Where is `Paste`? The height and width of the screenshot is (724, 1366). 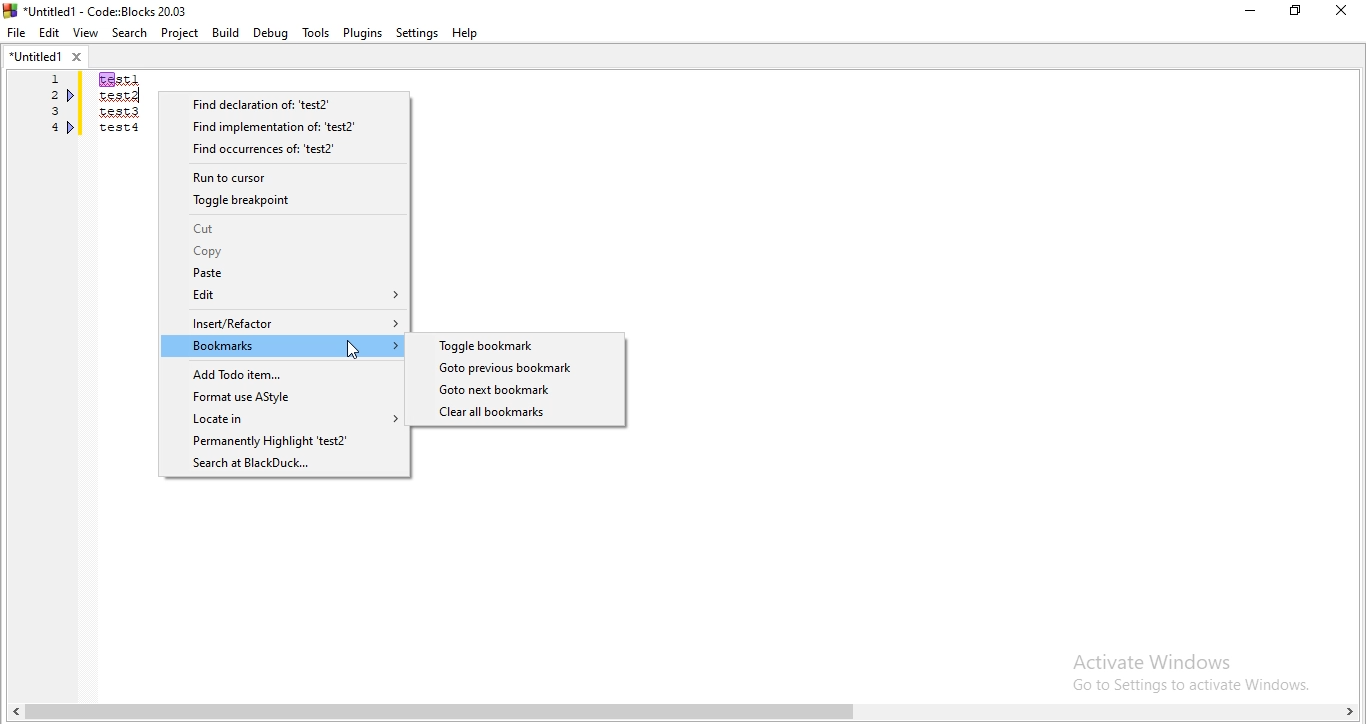
Paste is located at coordinates (283, 275).